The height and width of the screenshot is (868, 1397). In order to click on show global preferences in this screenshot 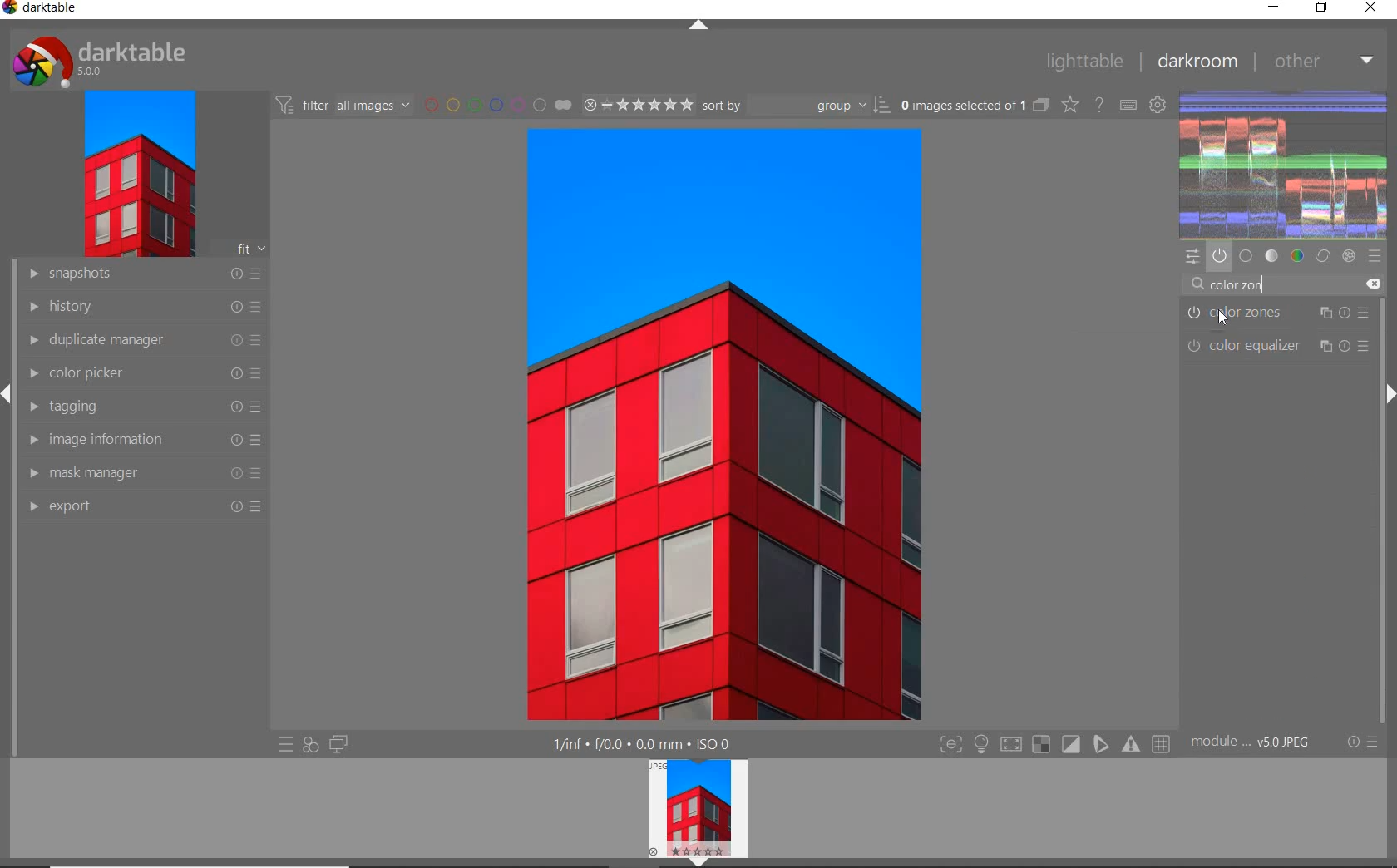, I will do `click(1159, 106)`.